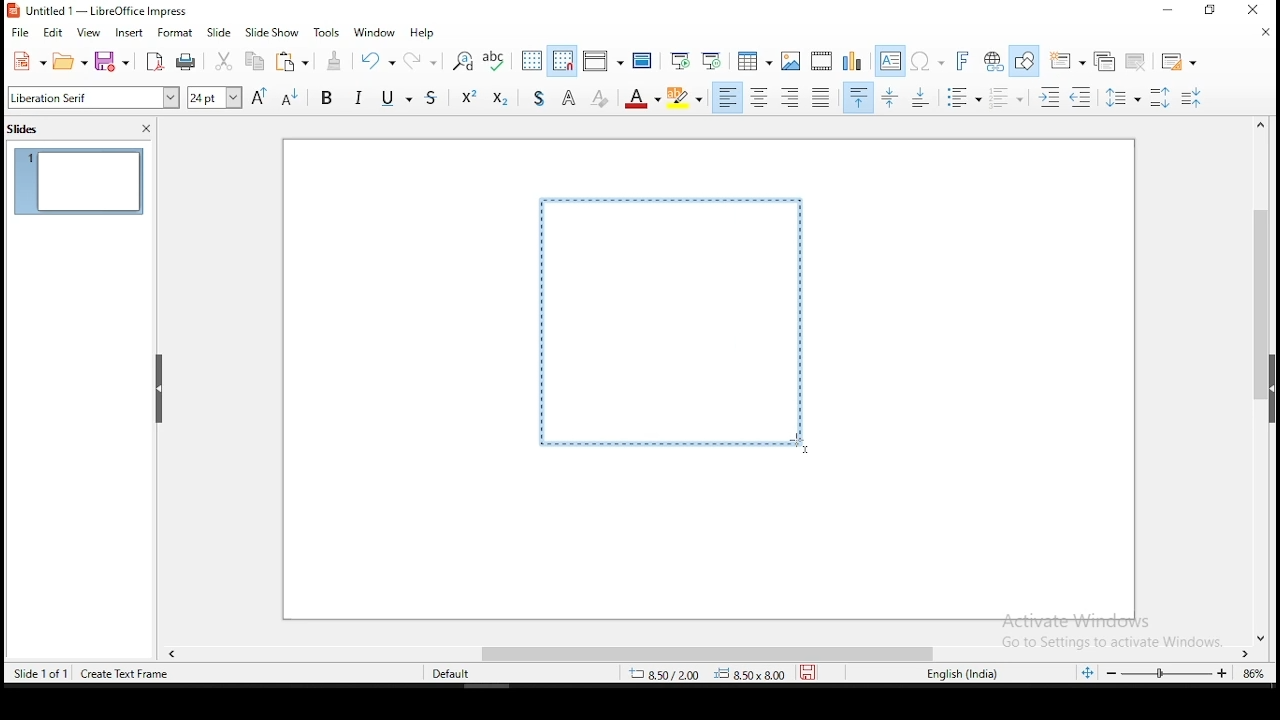  Describe the element at coordinates (715, 655) in the screenshot. I see `scroll bar` at that location.